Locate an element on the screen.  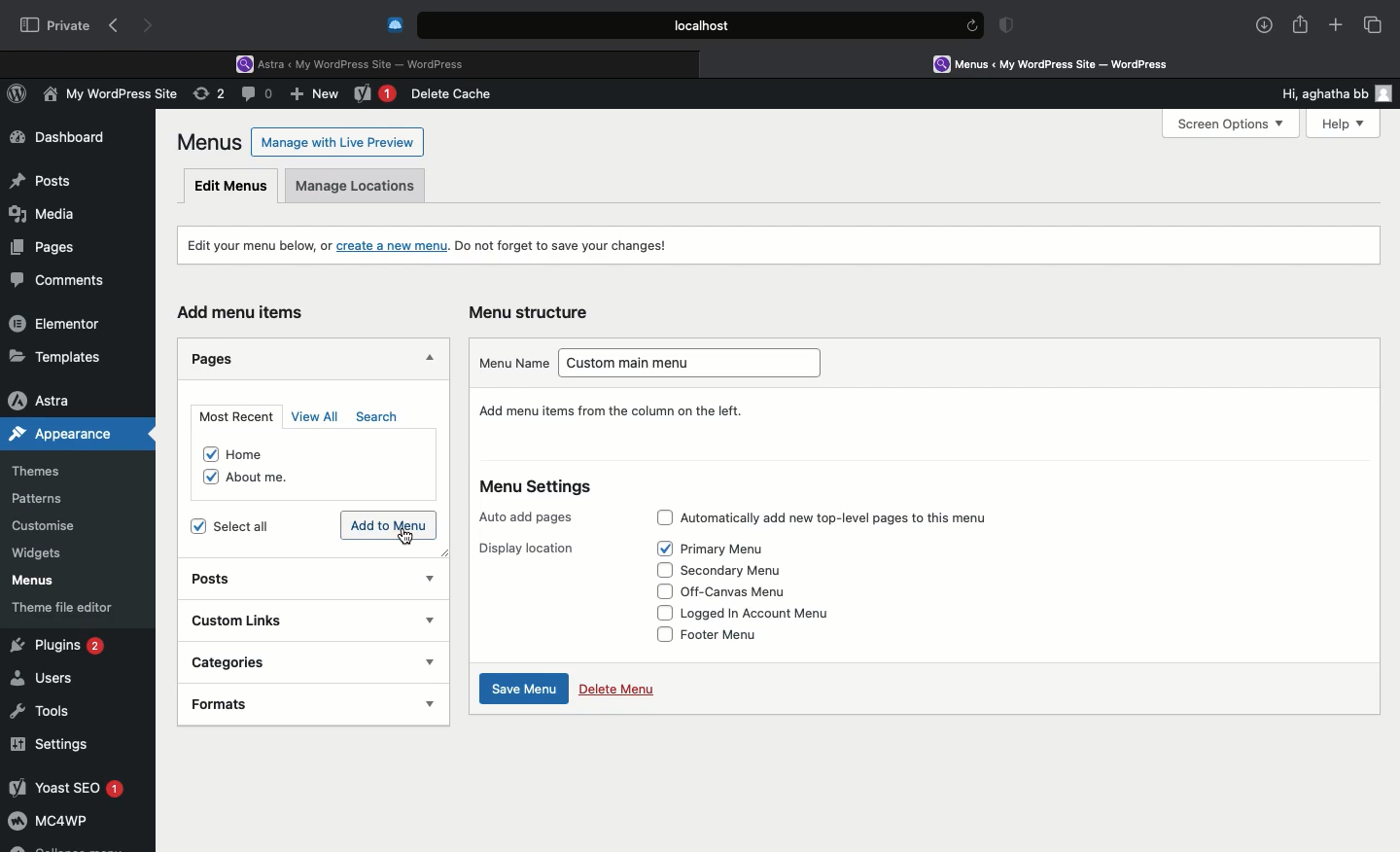
show is located at coordinates (428, 620).